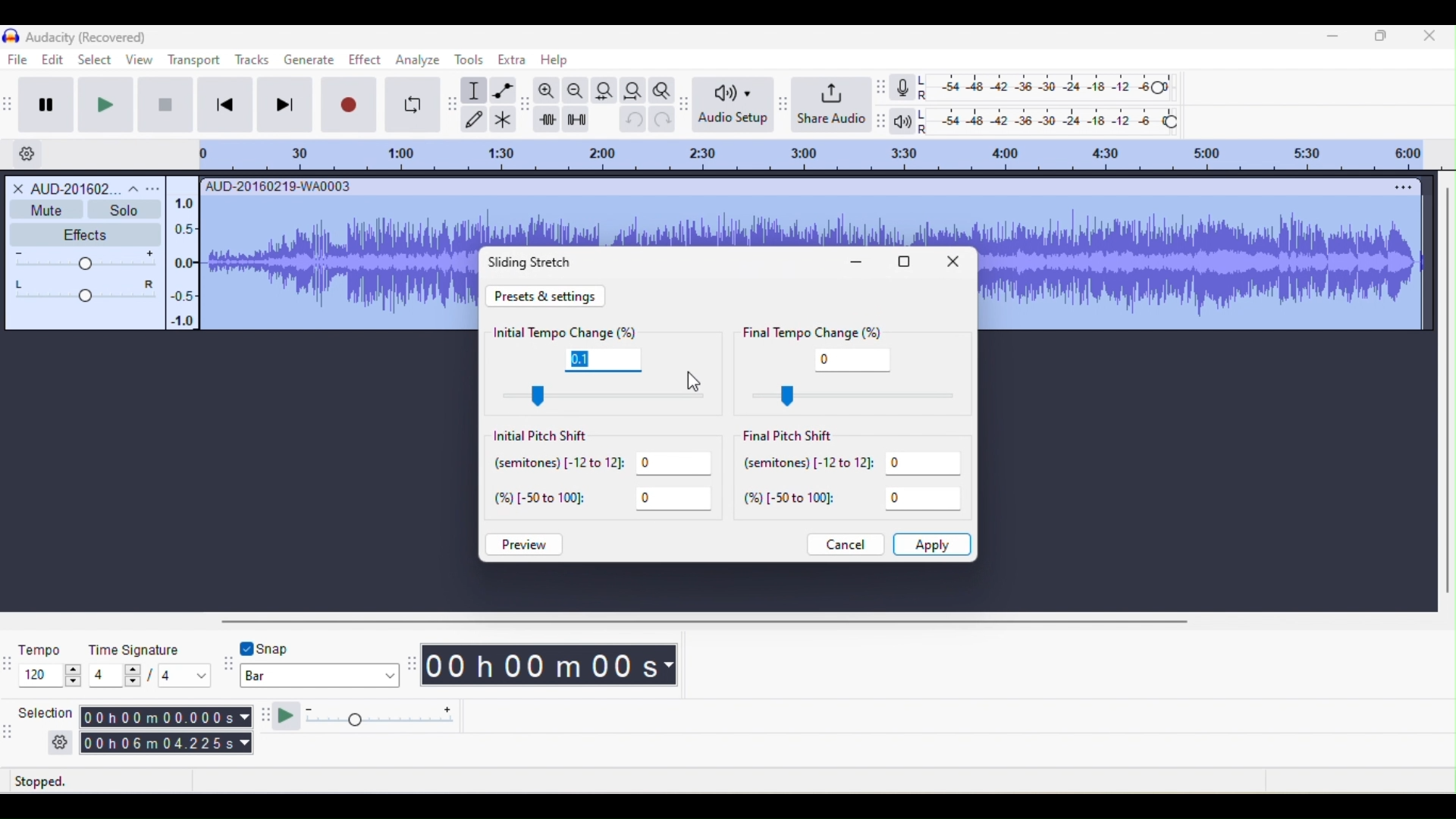 Image resolution: width=1456 pixels, height=819 pixels. What do you see at coordinates (93, 58) in the screenshot?
I see `select` at bounding box center [93, 58].